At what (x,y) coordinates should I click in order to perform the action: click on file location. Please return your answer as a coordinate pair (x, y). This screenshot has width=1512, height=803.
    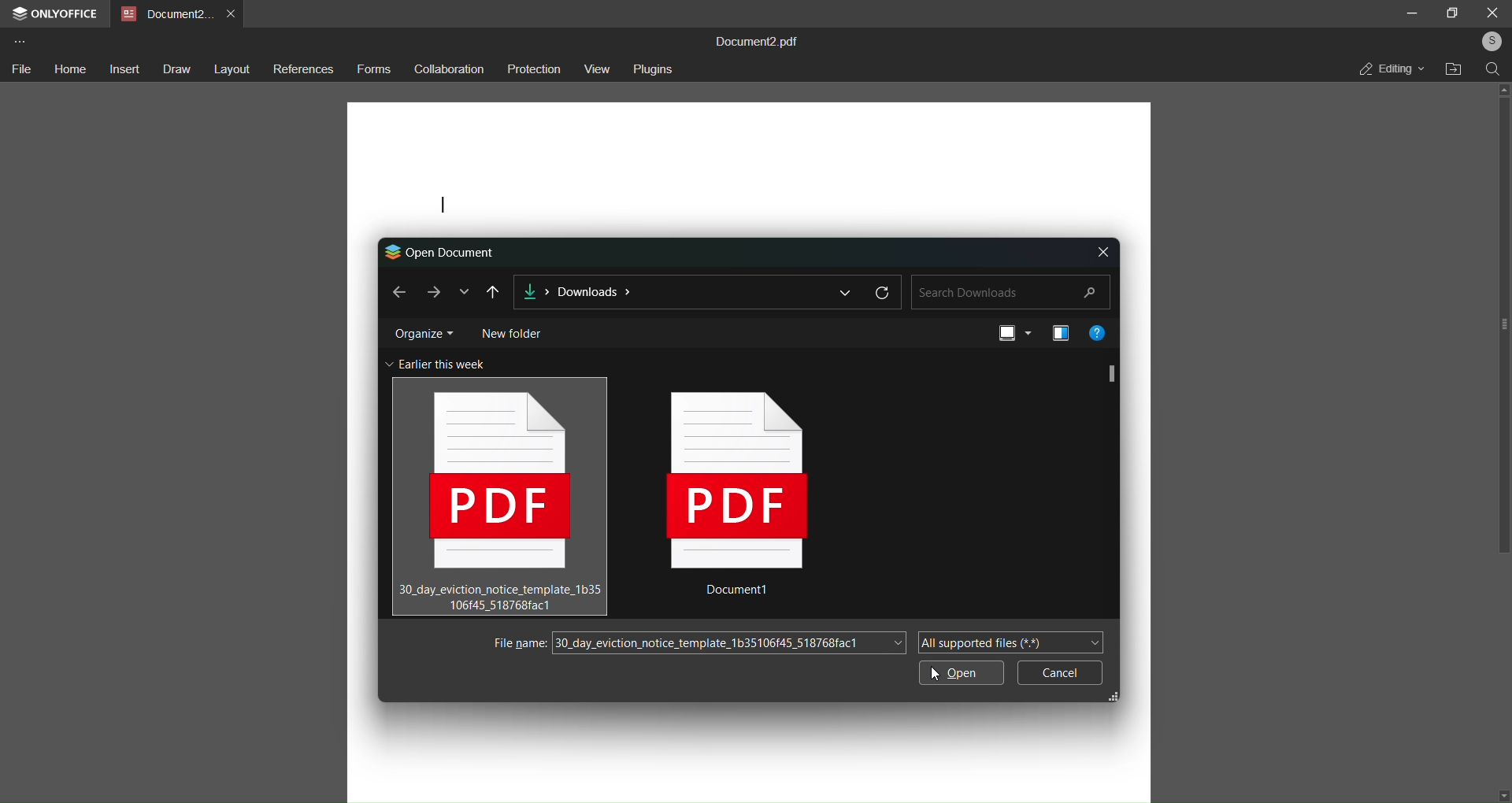
    Looking at the image, I should click on (1455, 70).